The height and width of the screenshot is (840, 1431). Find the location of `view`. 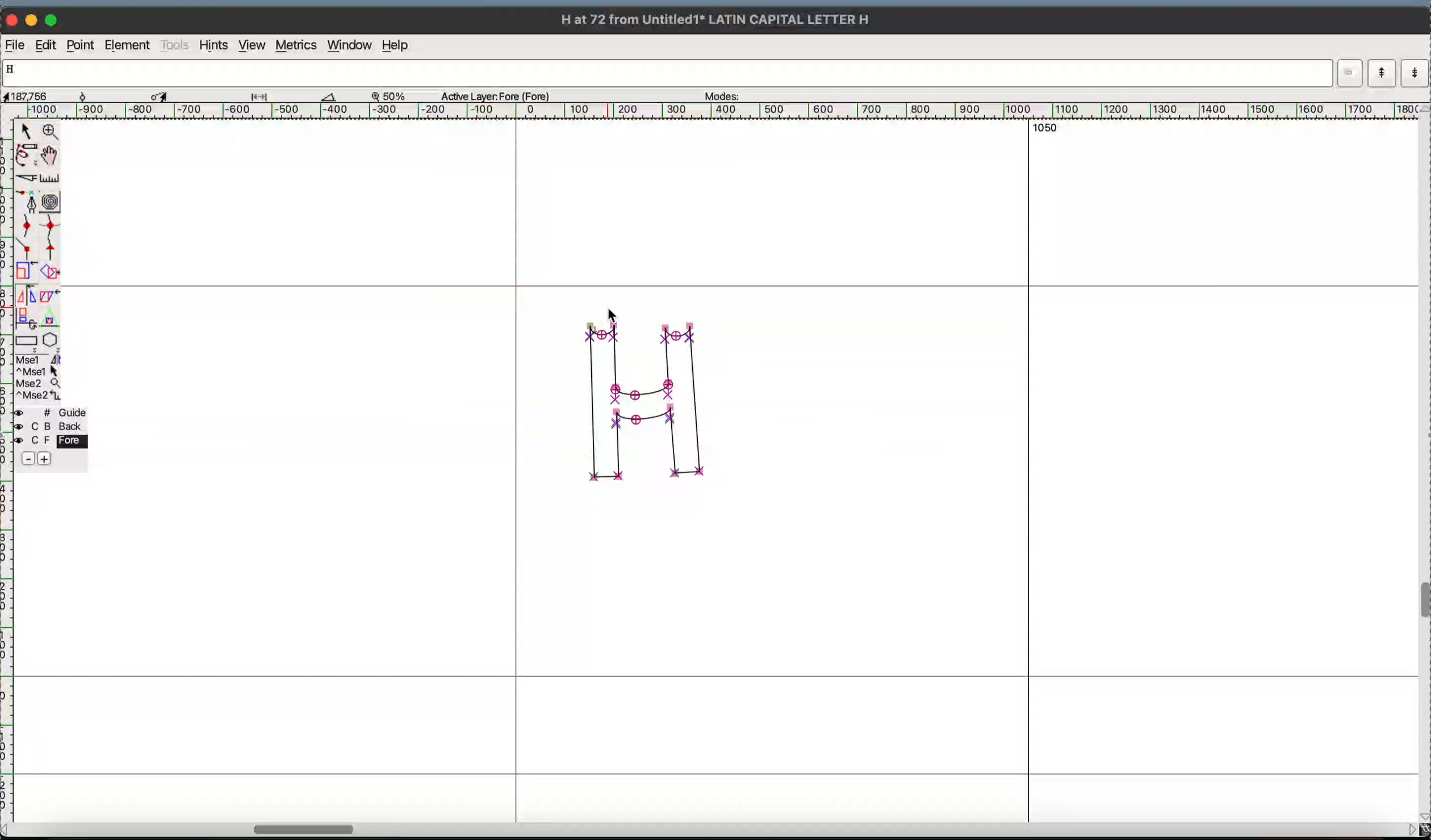

view is located at coordinates (250, 45).